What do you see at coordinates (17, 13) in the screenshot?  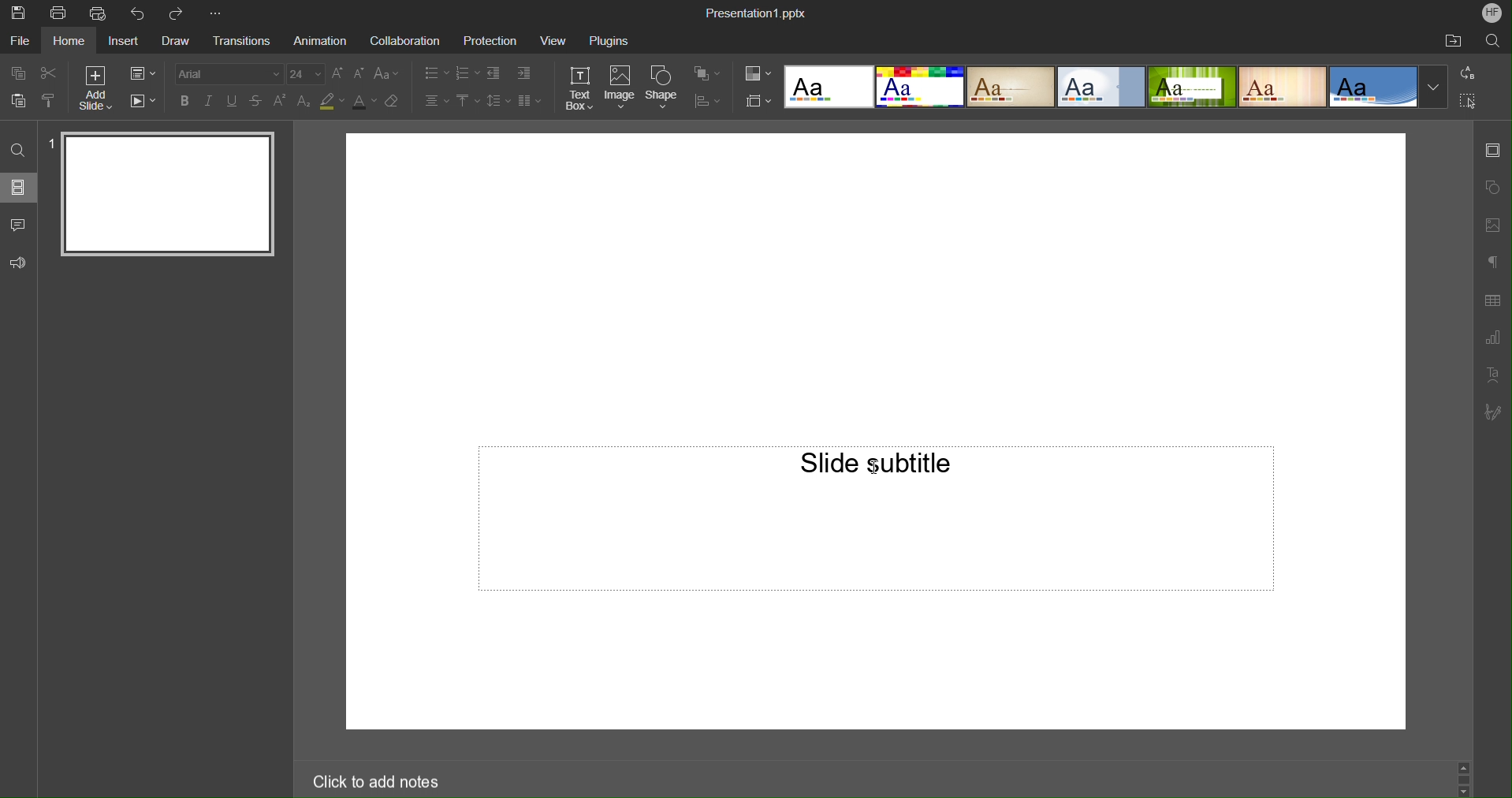 I see `Save` at bounding box center [17, 13].